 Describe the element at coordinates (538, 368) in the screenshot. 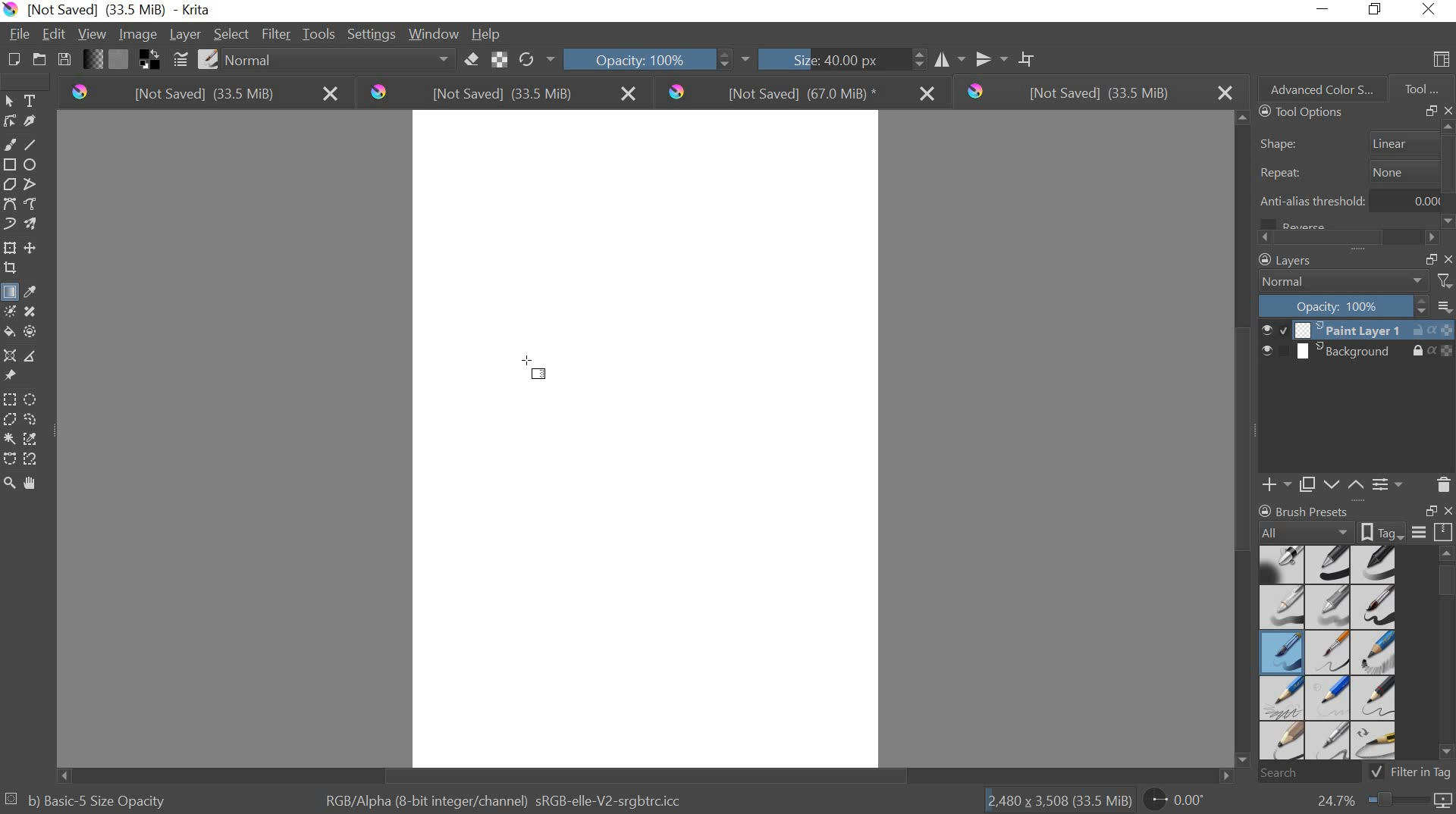

I see `cursor` at that location.